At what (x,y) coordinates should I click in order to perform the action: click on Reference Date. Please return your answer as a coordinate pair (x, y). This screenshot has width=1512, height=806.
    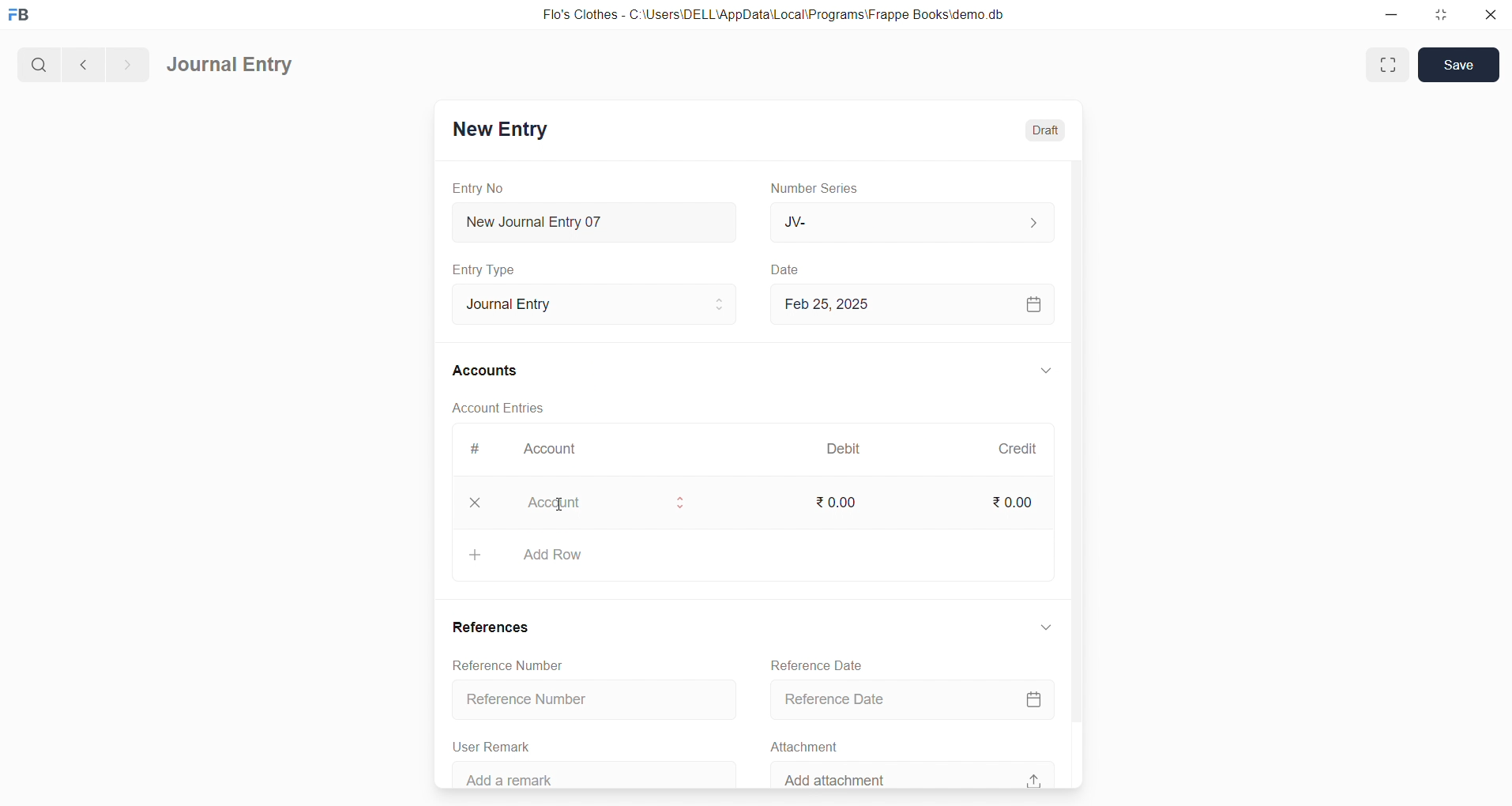
    Looking at the image, I should click on (818, 663).